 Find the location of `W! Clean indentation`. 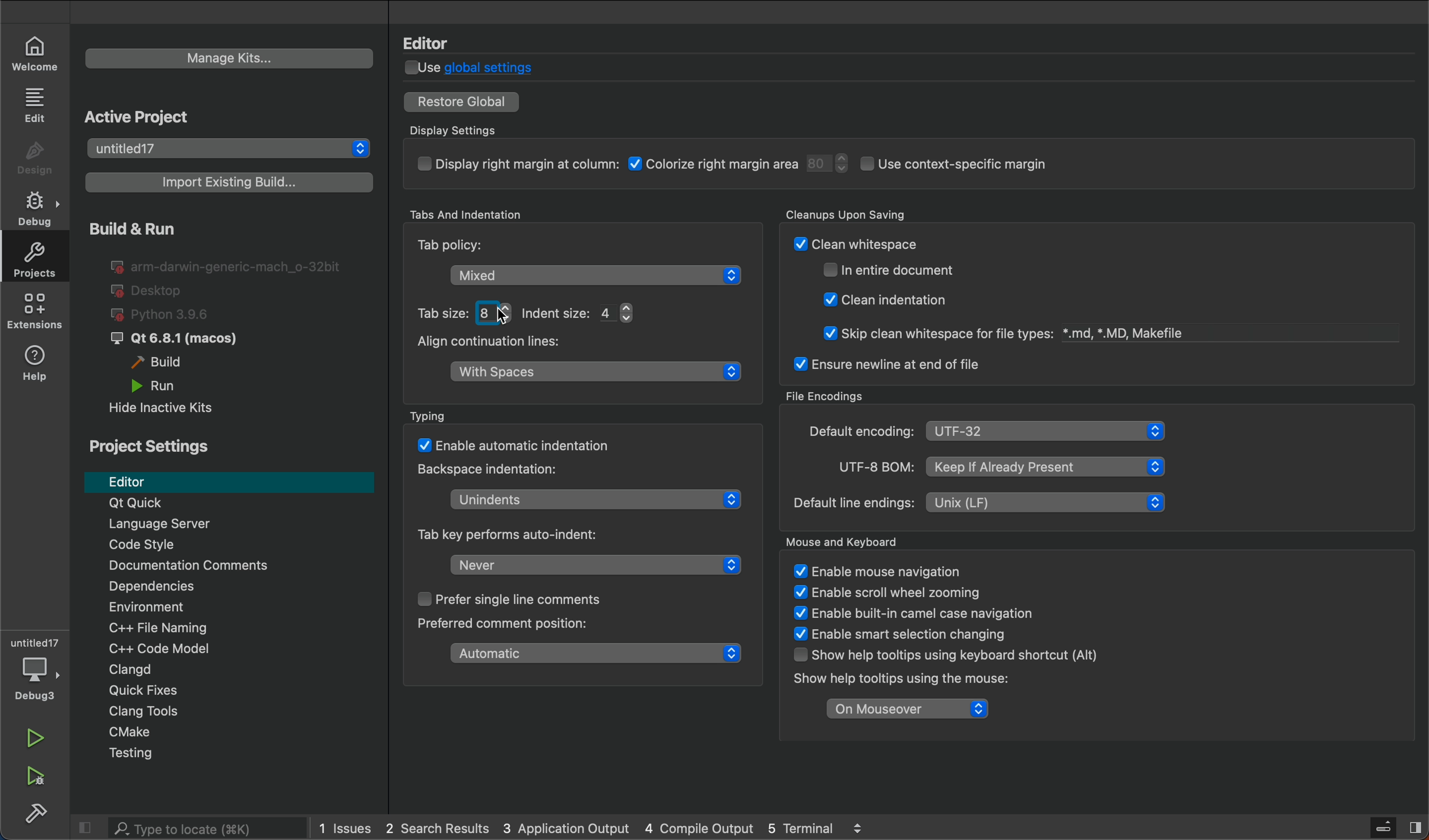

W! Clean indentation is located at coordinates (891, 299).